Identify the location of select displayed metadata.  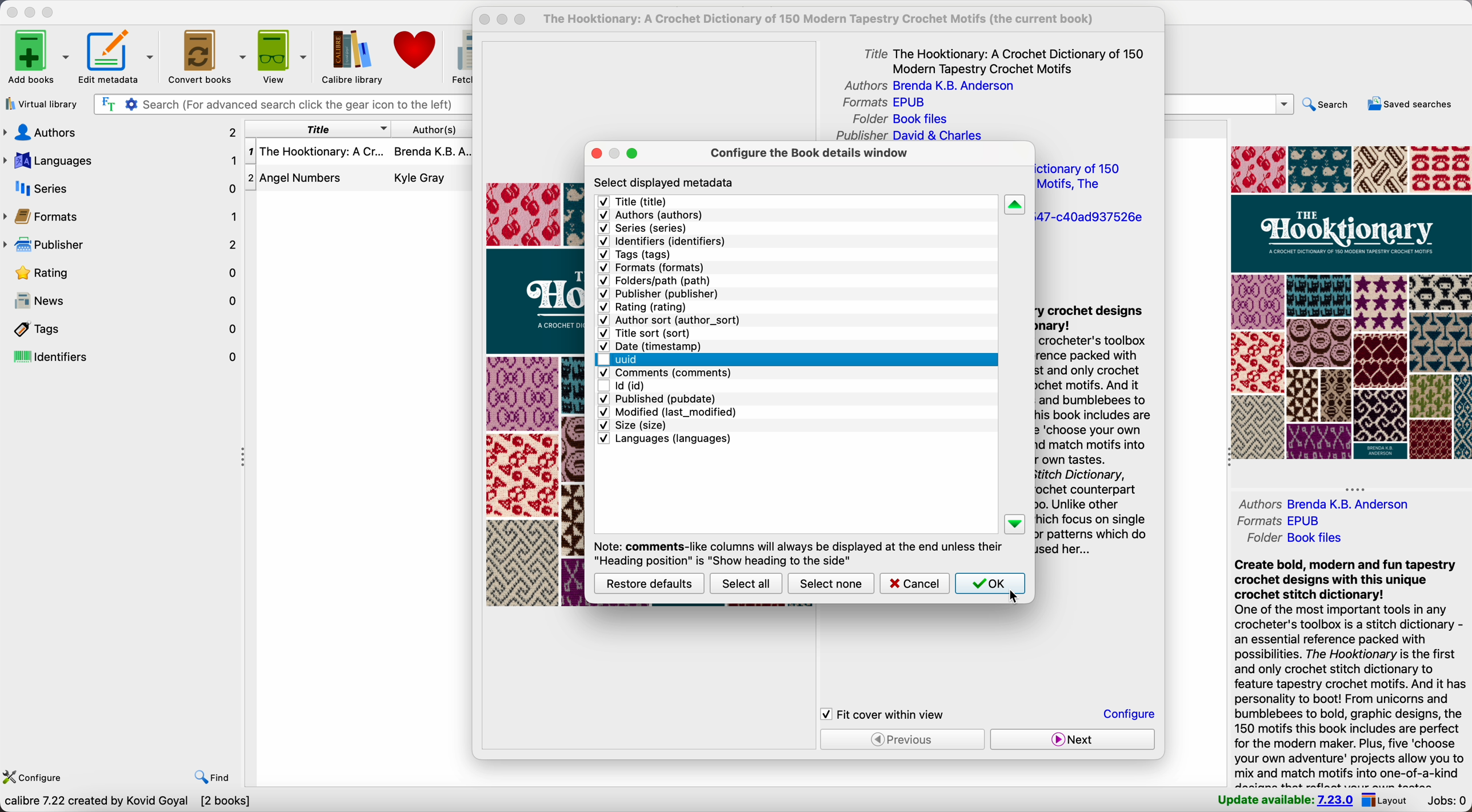
(665, 182).